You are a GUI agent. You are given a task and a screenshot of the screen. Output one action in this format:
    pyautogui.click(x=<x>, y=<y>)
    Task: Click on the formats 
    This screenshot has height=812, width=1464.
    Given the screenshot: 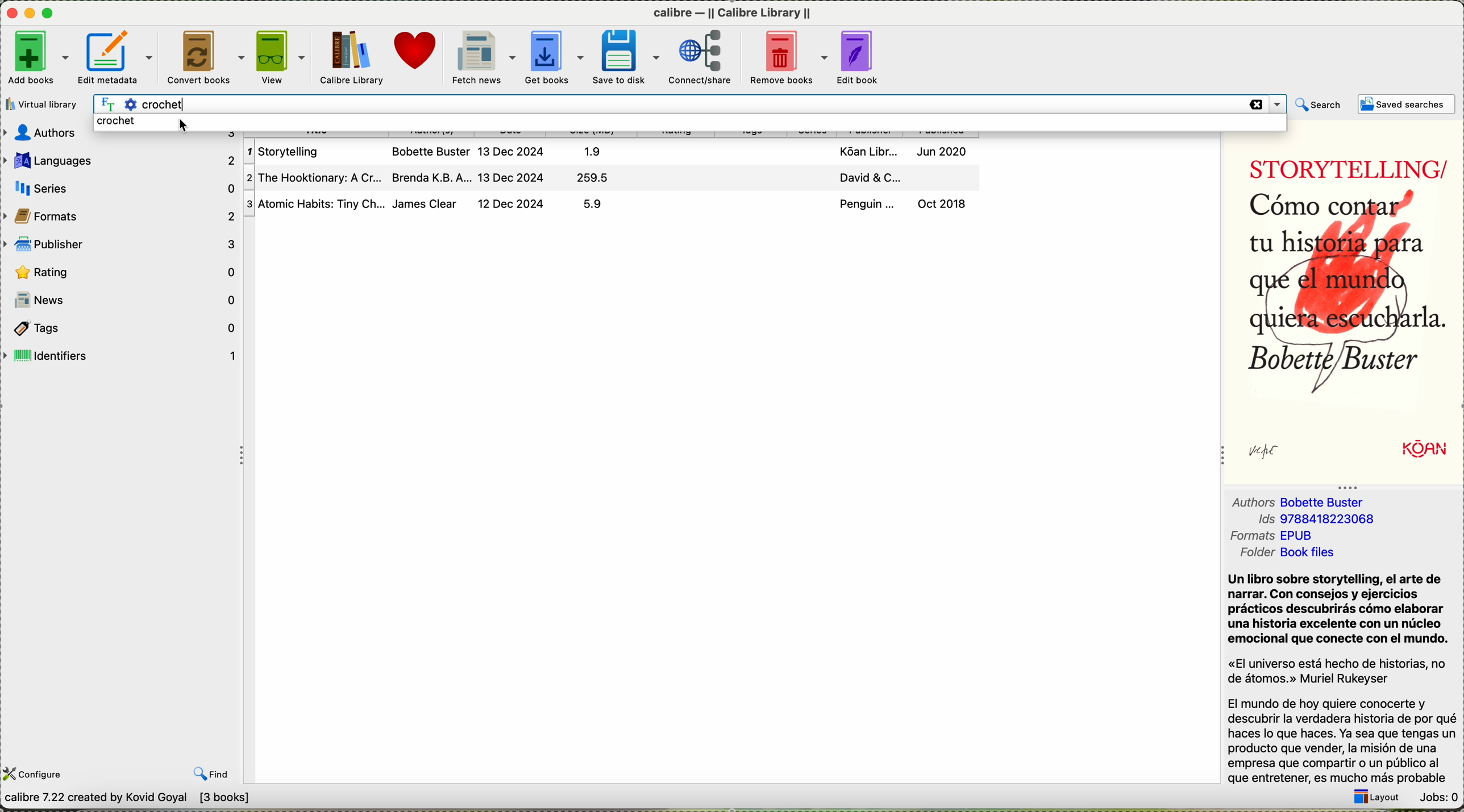 What is the action you would take?
    pyautogui.click(x=1252, y=537)
    